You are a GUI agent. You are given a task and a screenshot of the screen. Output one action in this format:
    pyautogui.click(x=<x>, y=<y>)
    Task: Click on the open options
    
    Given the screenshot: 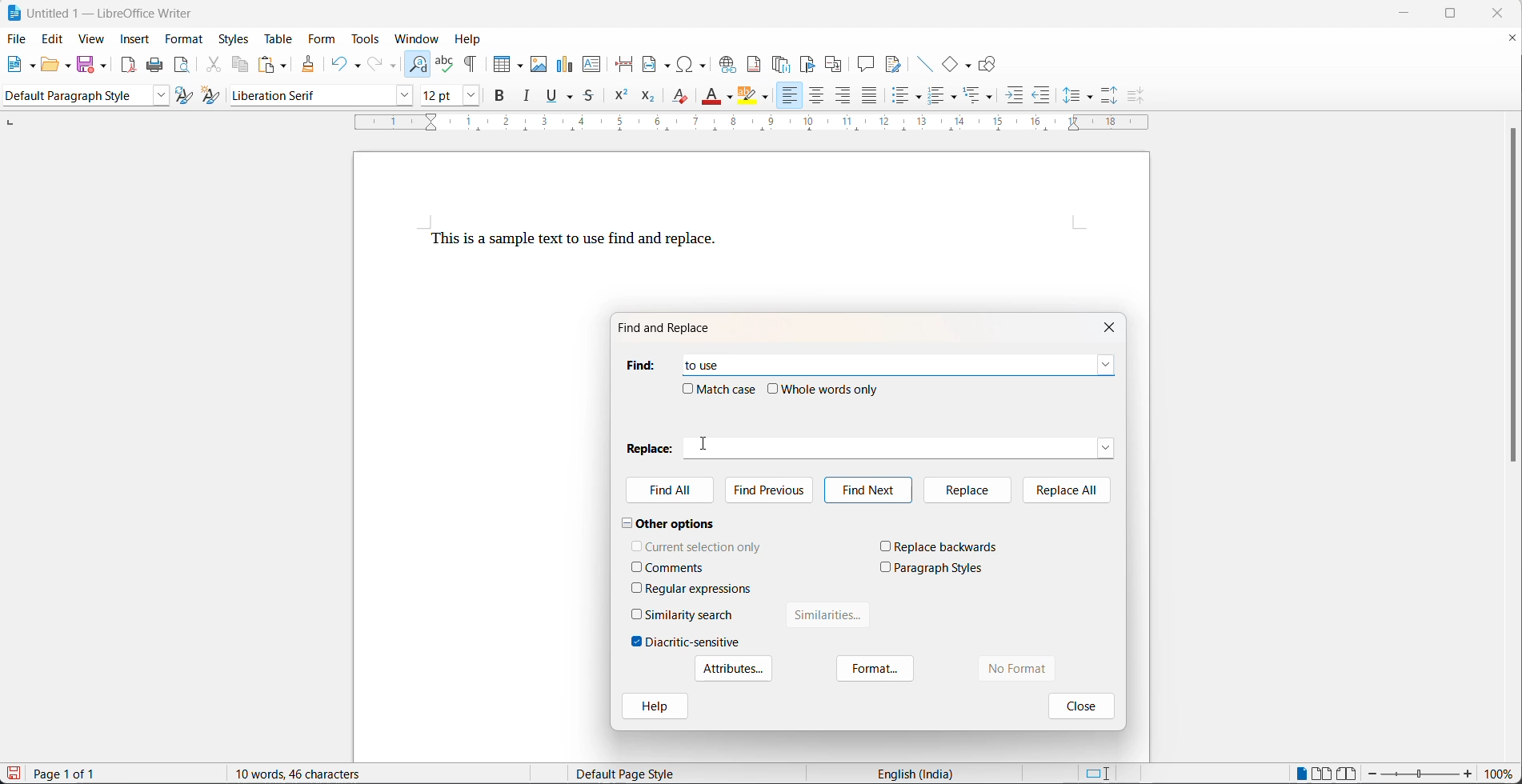 What is the action you would take?
    pyautogui.click(x=69, y=64)
    